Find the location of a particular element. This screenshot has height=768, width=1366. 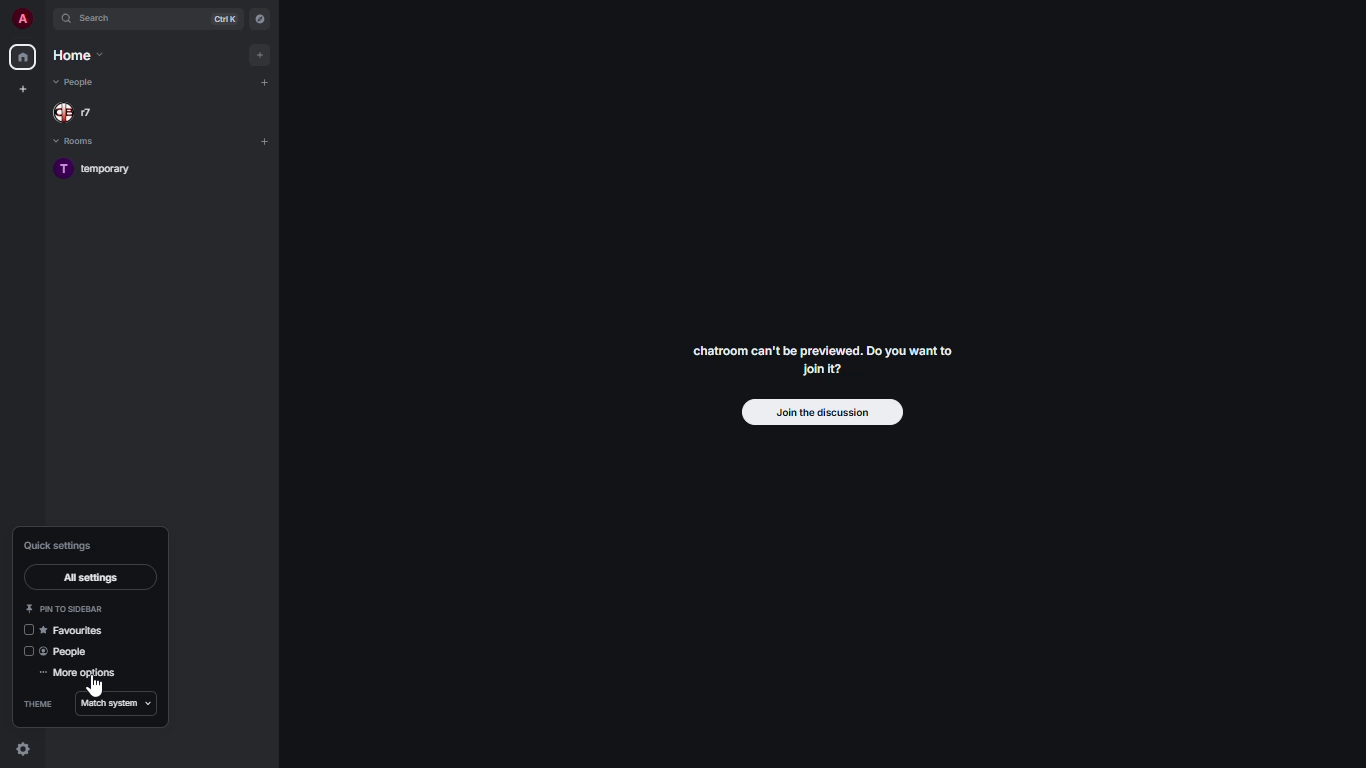

add is located at coordinates (258, 54).